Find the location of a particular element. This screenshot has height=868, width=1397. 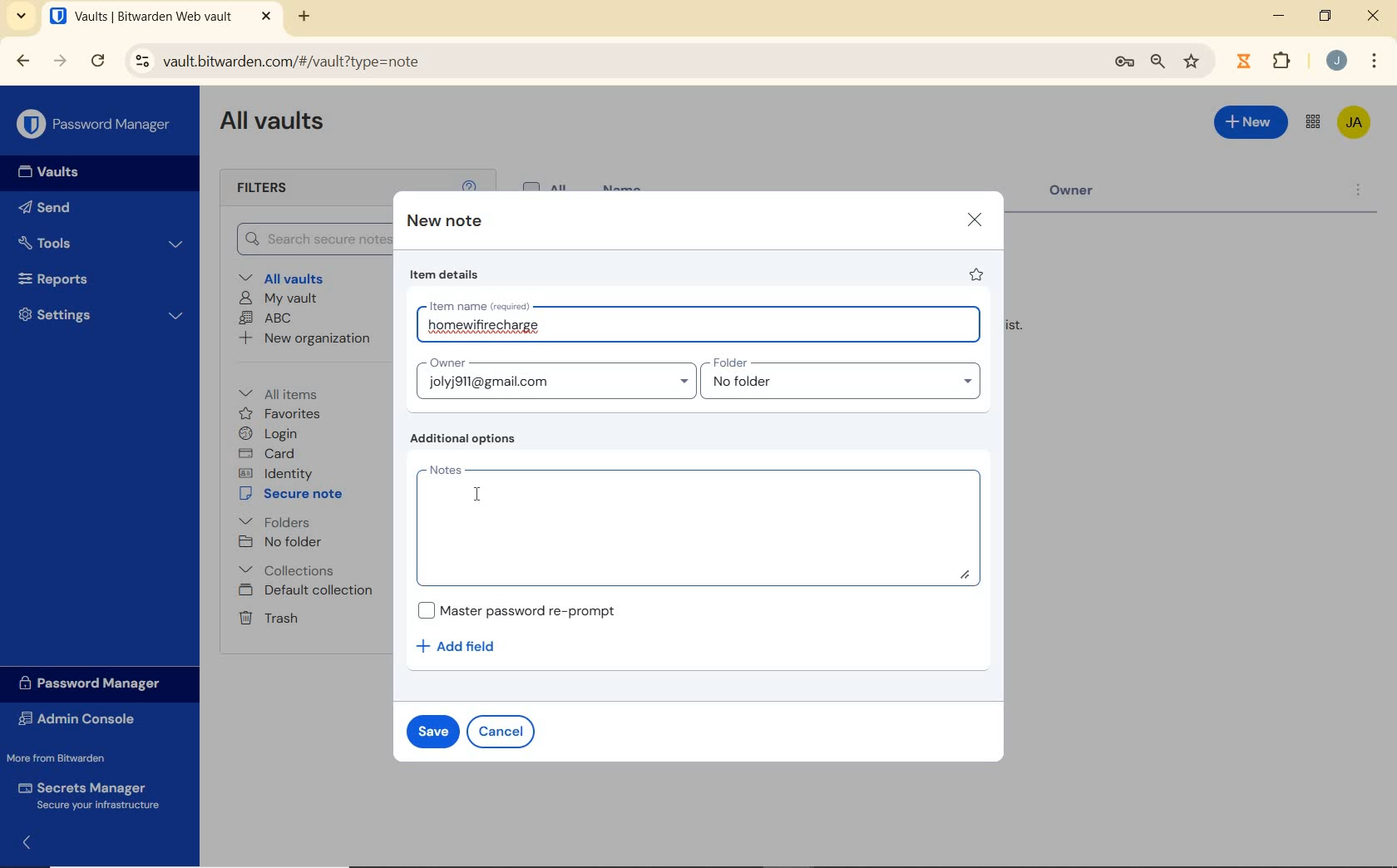

Owner is located at coordinates (555, 377).